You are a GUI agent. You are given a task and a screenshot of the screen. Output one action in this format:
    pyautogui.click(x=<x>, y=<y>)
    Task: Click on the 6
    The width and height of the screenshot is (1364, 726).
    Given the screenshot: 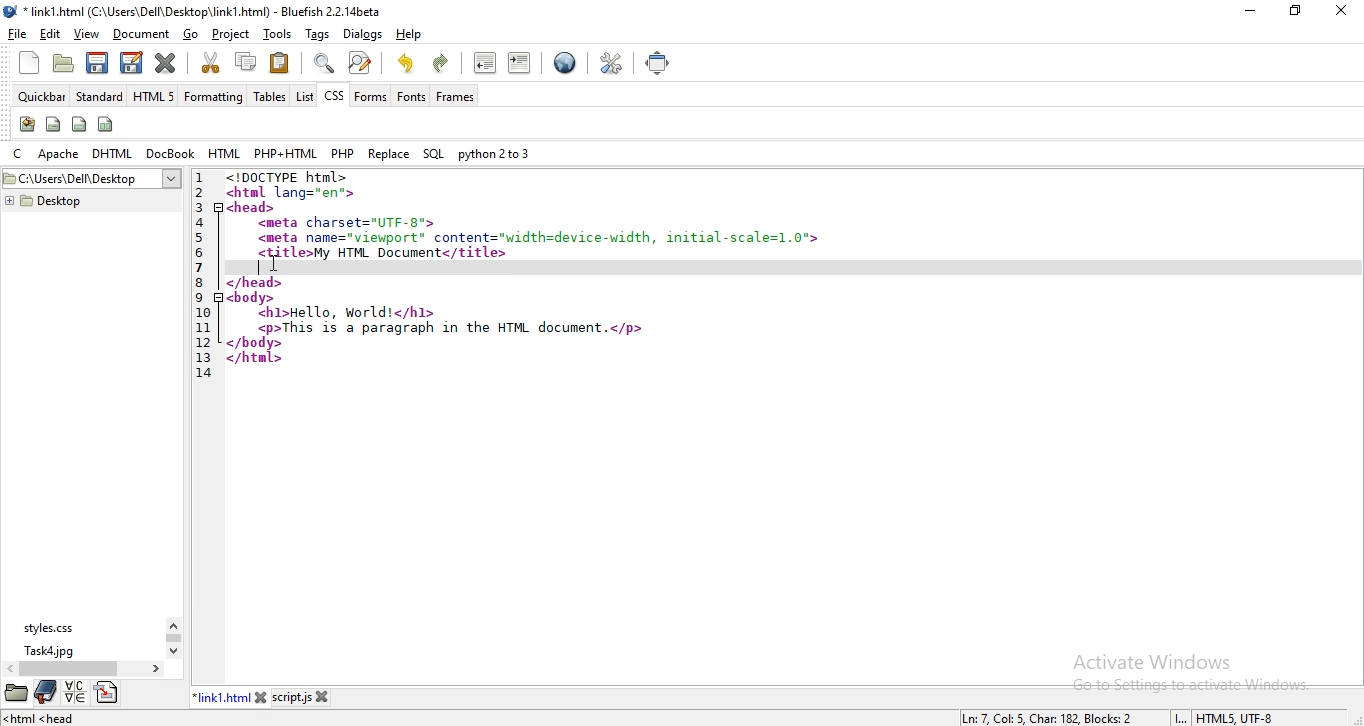 What is the action you would take?
    pyautogui.click(x=199, y=253)
    